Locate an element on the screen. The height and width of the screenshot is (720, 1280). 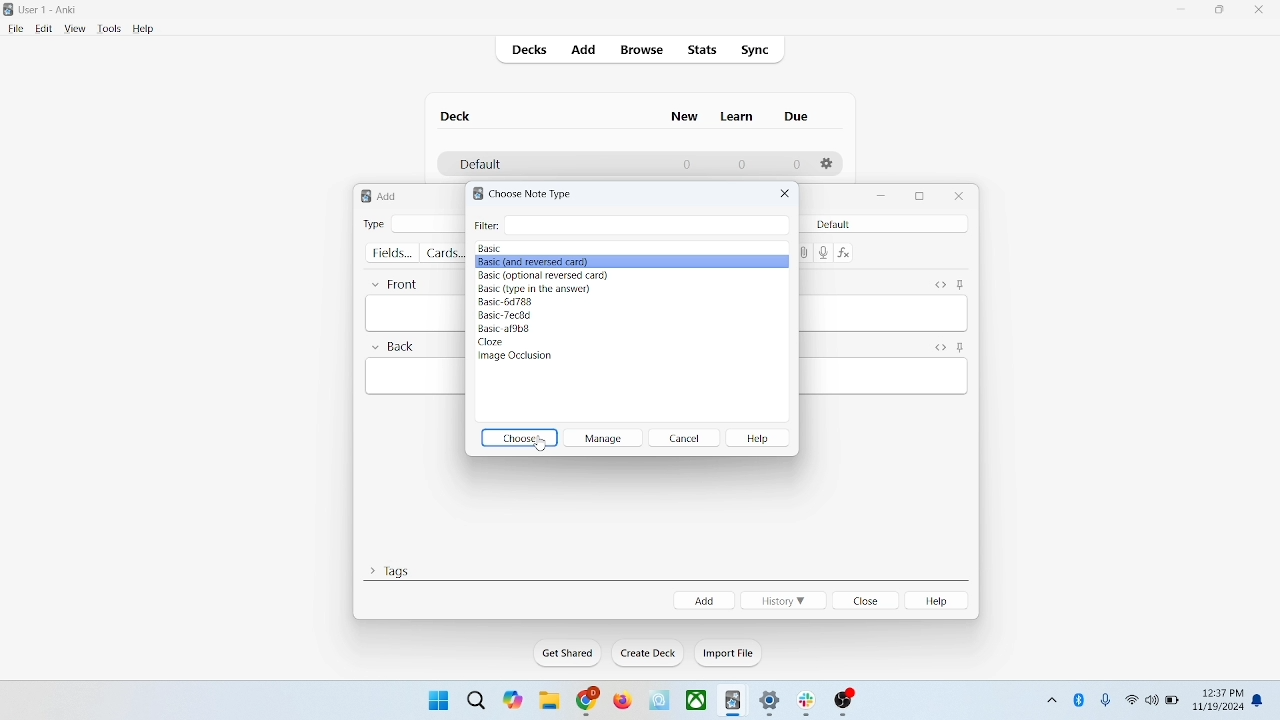
bluetooth is located at coordinates (1080, 699).